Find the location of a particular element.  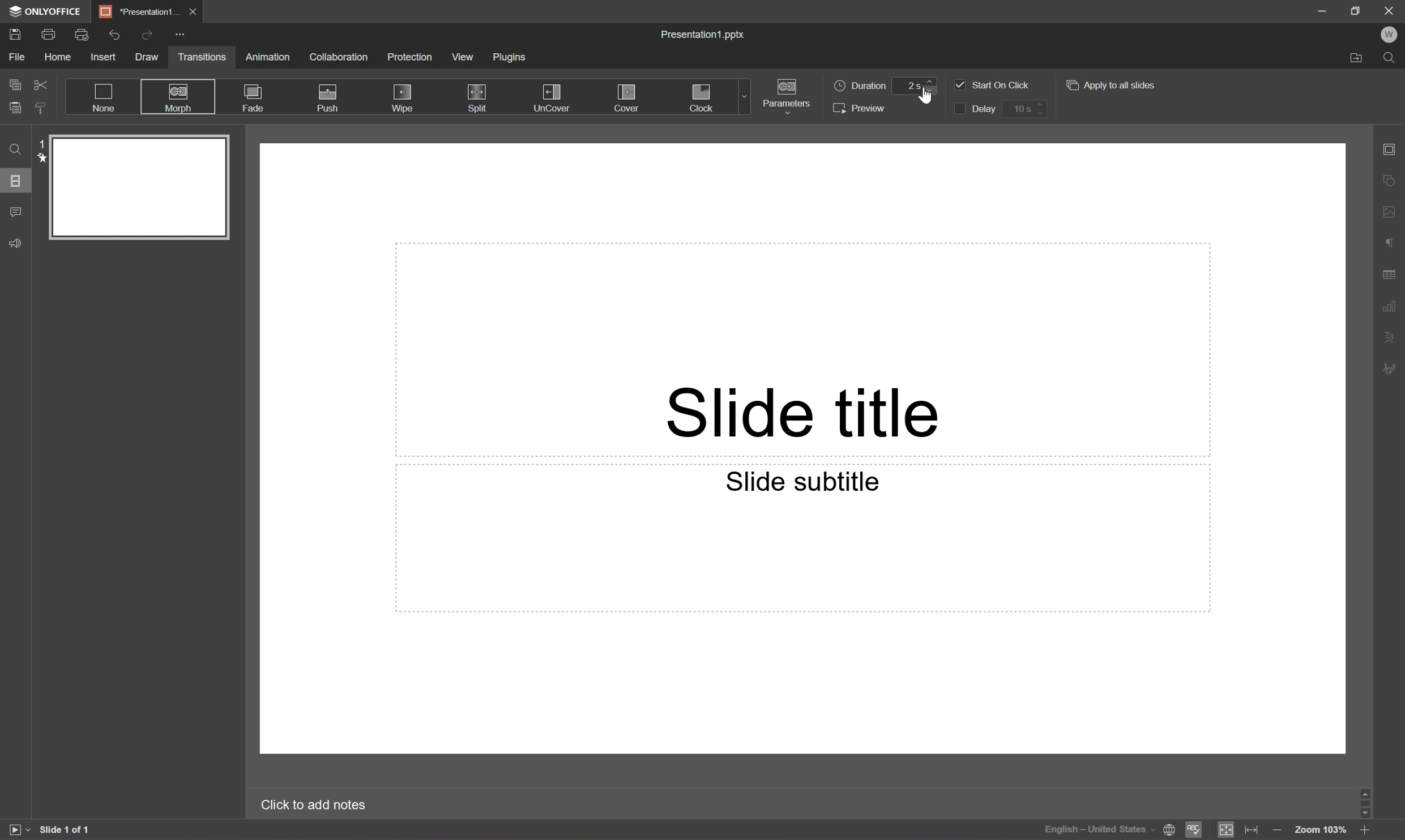

Open file location is located at coordinates (1357, 58).